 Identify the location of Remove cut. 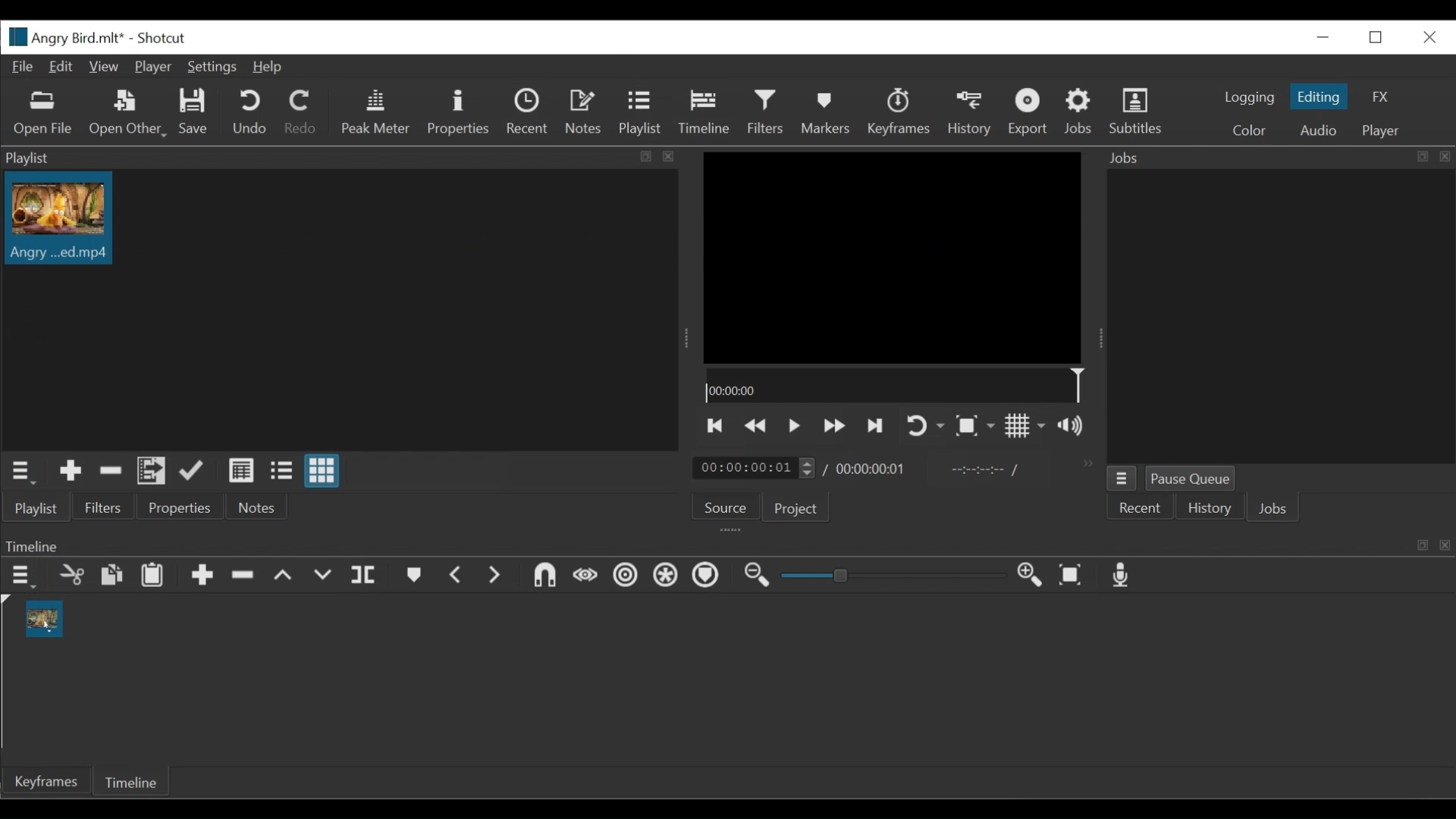
(112, 474).